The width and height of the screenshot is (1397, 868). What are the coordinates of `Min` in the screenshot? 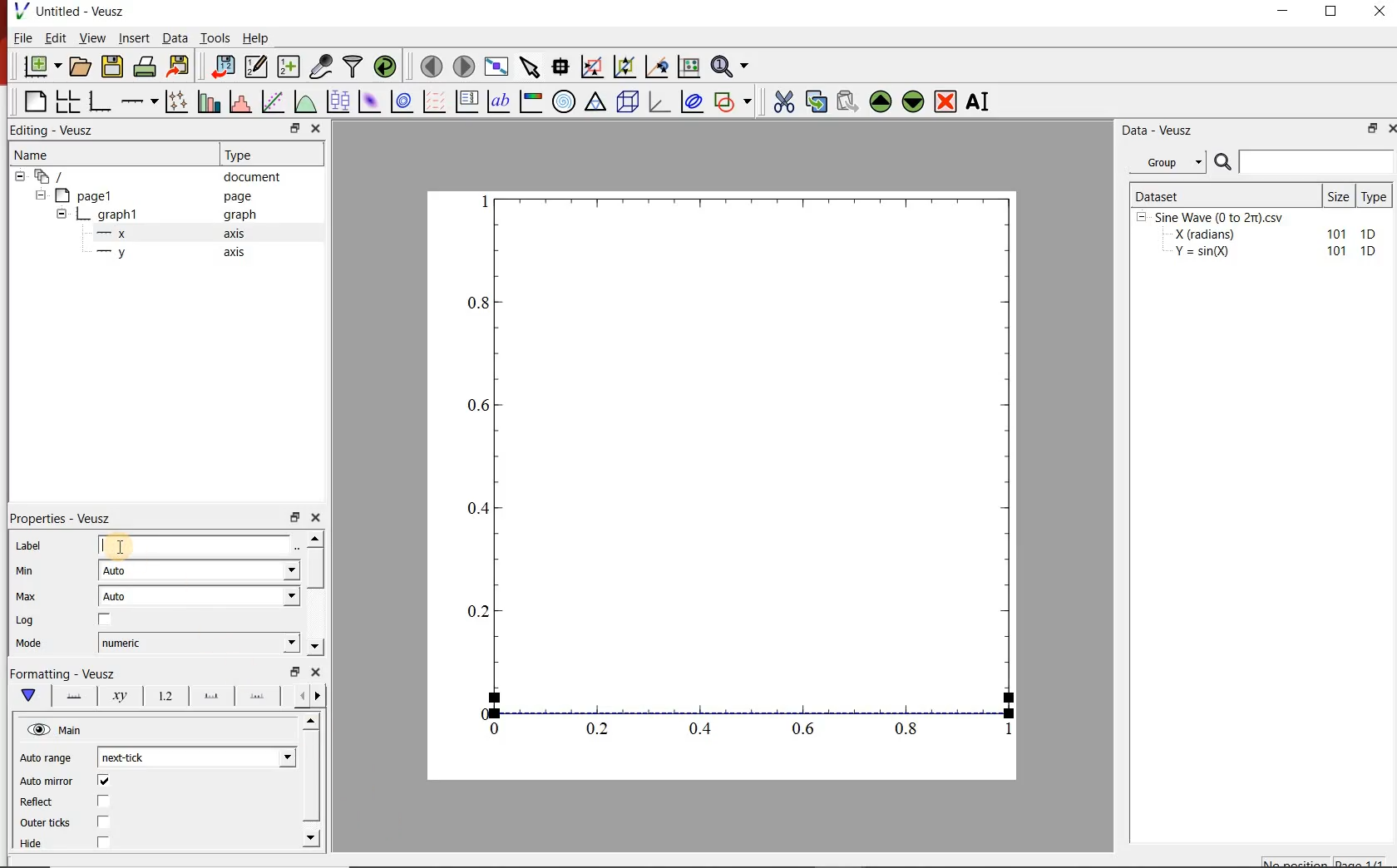 It's located at (26, 570).